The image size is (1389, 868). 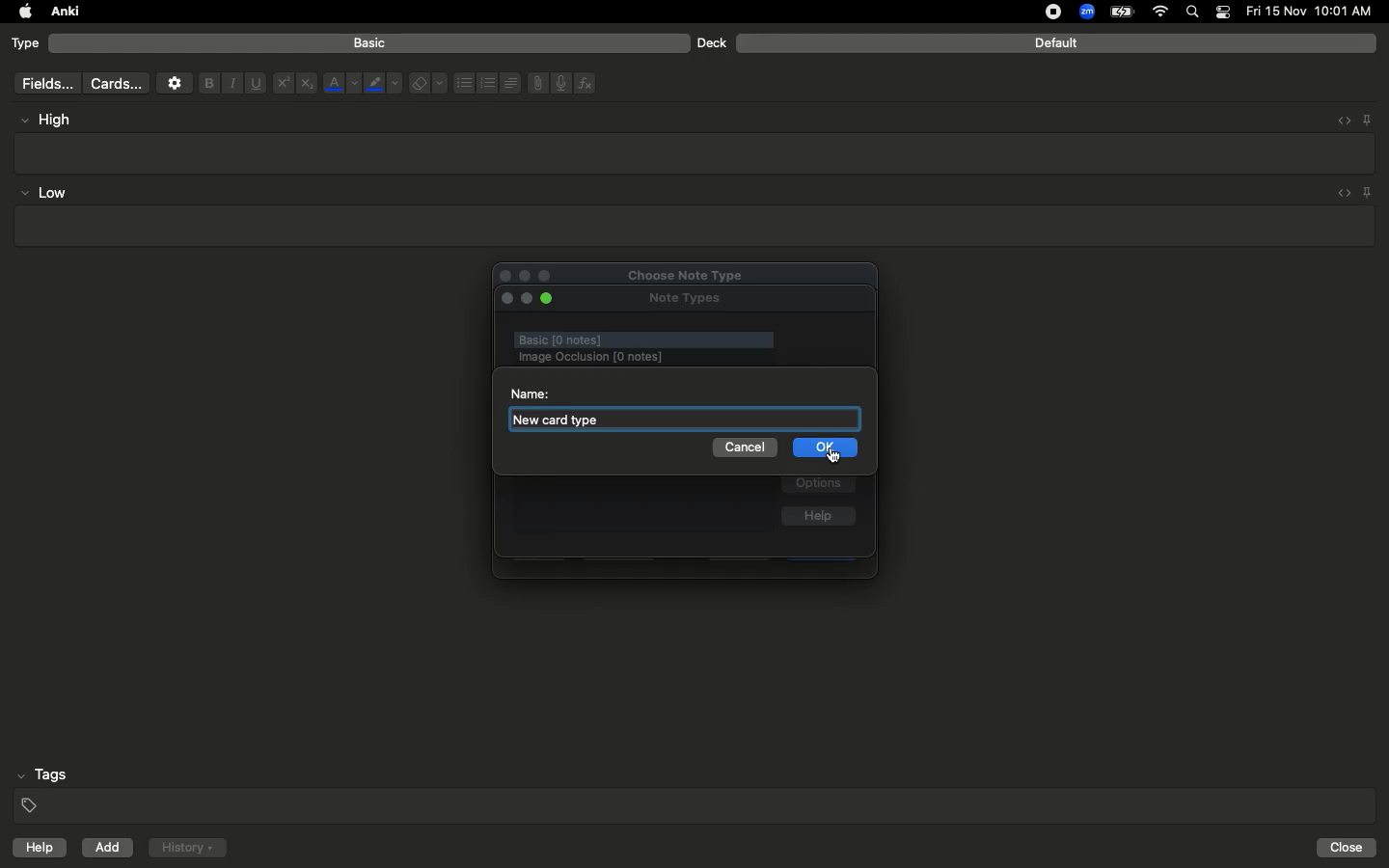 What do you see at coordinates (36, 850) in the screenshot?
I see `help` at bounding box center [36, 850].